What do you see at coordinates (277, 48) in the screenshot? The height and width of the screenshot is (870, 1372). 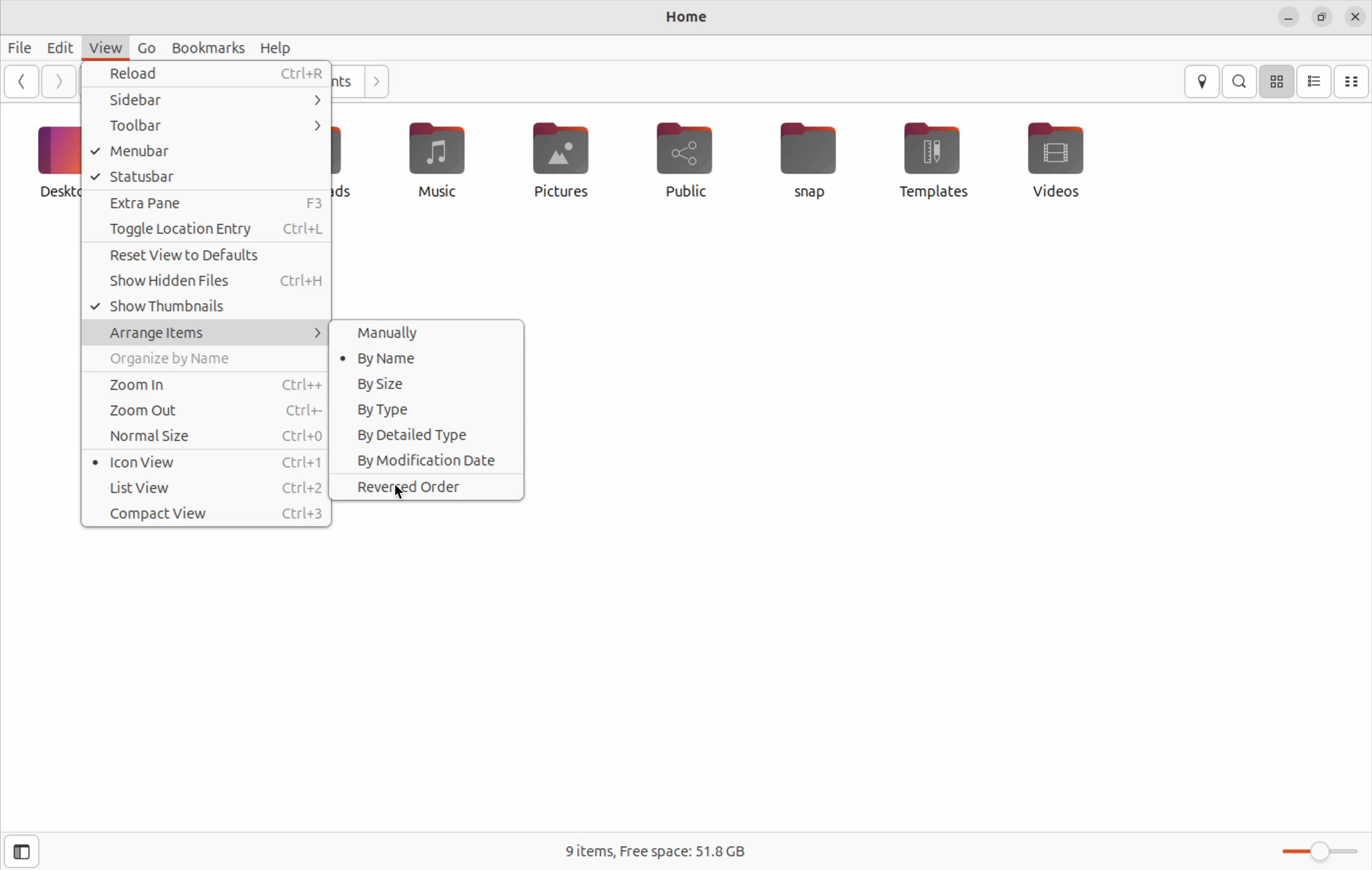 I see `help` at bounding box center [277, 48].